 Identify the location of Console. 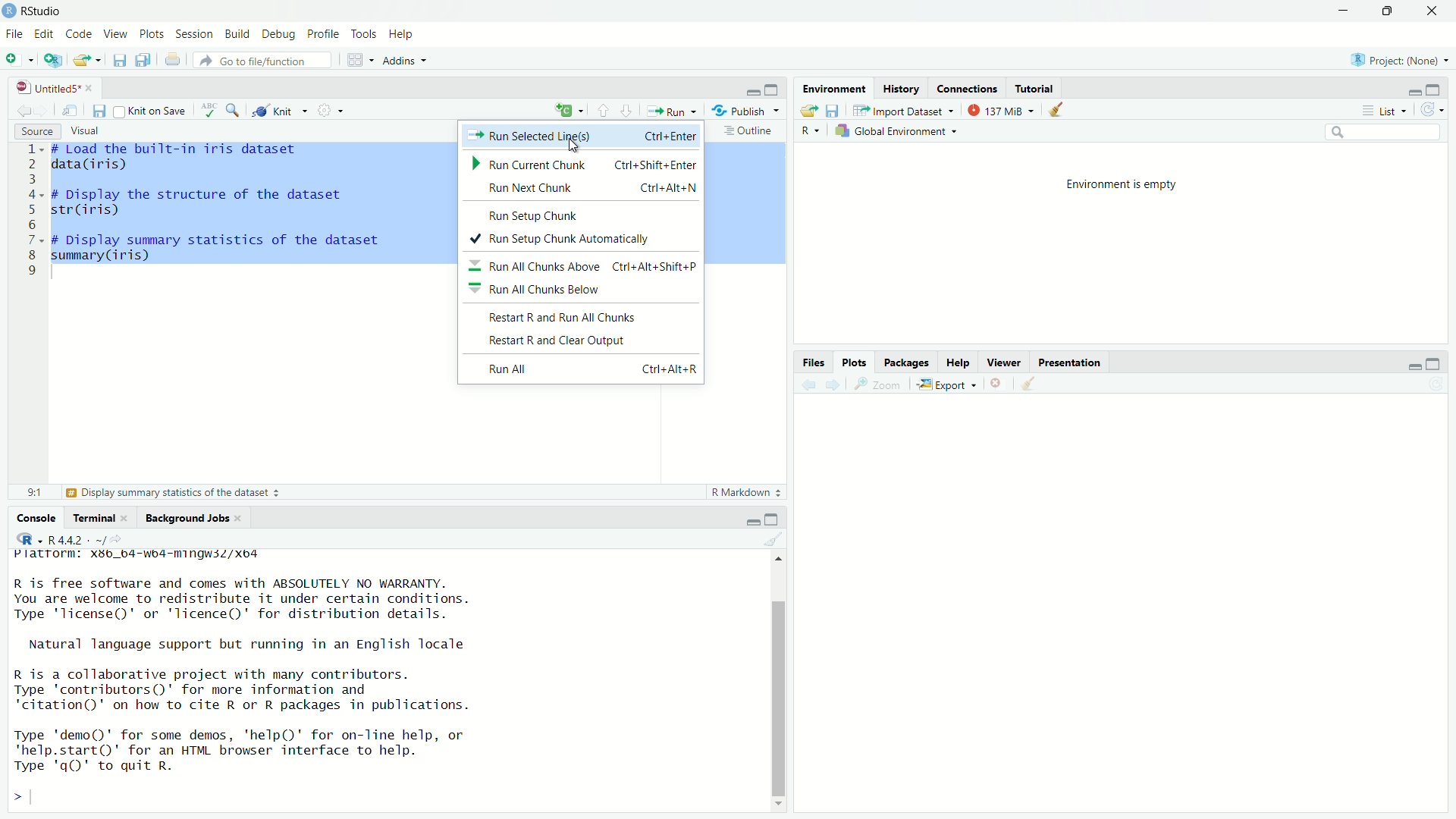
(35, 518).